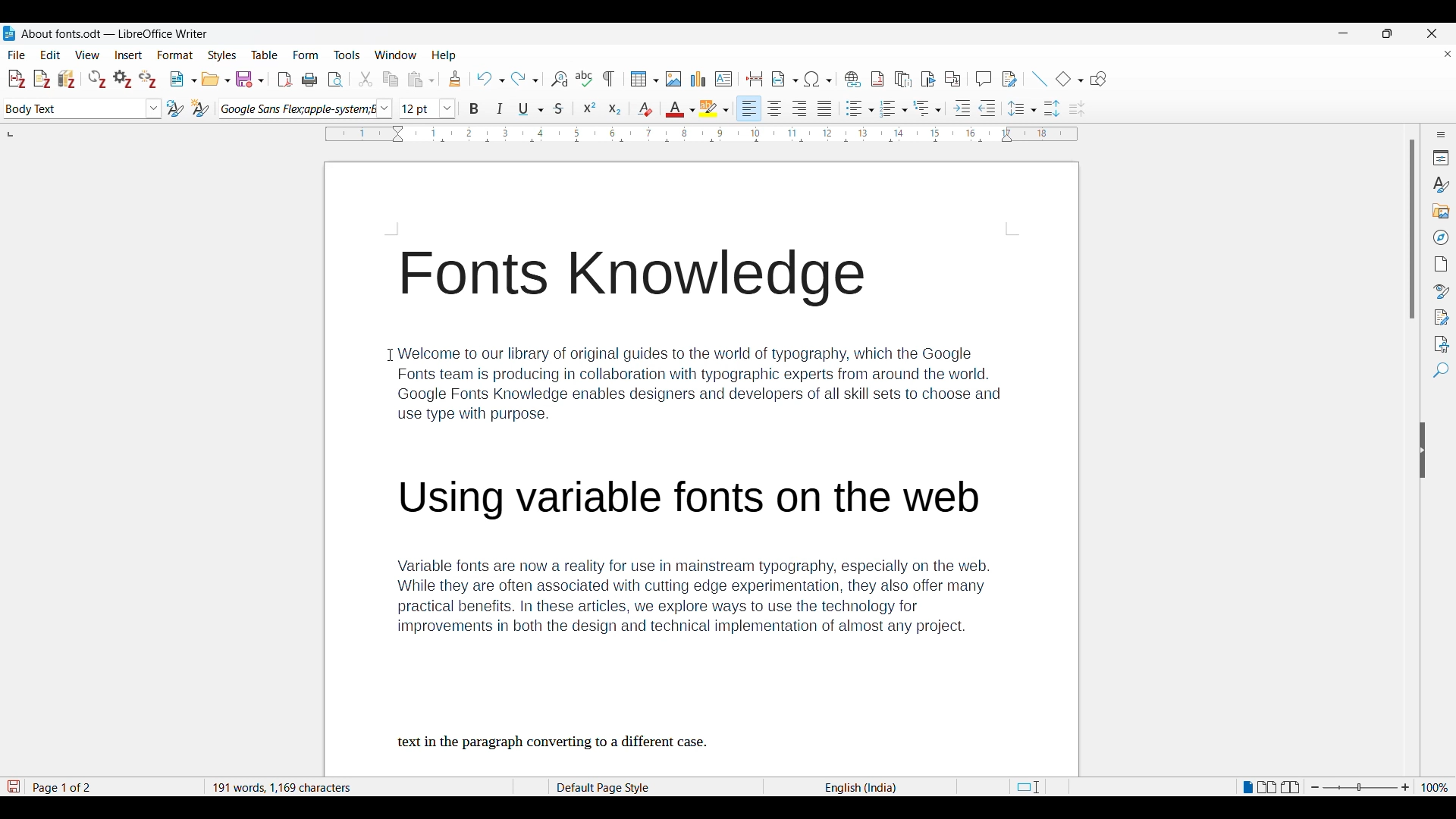  What do you see at coordinates (88, 55) in the screenshot?
I see `View menu` at bounding box center [88, 55].